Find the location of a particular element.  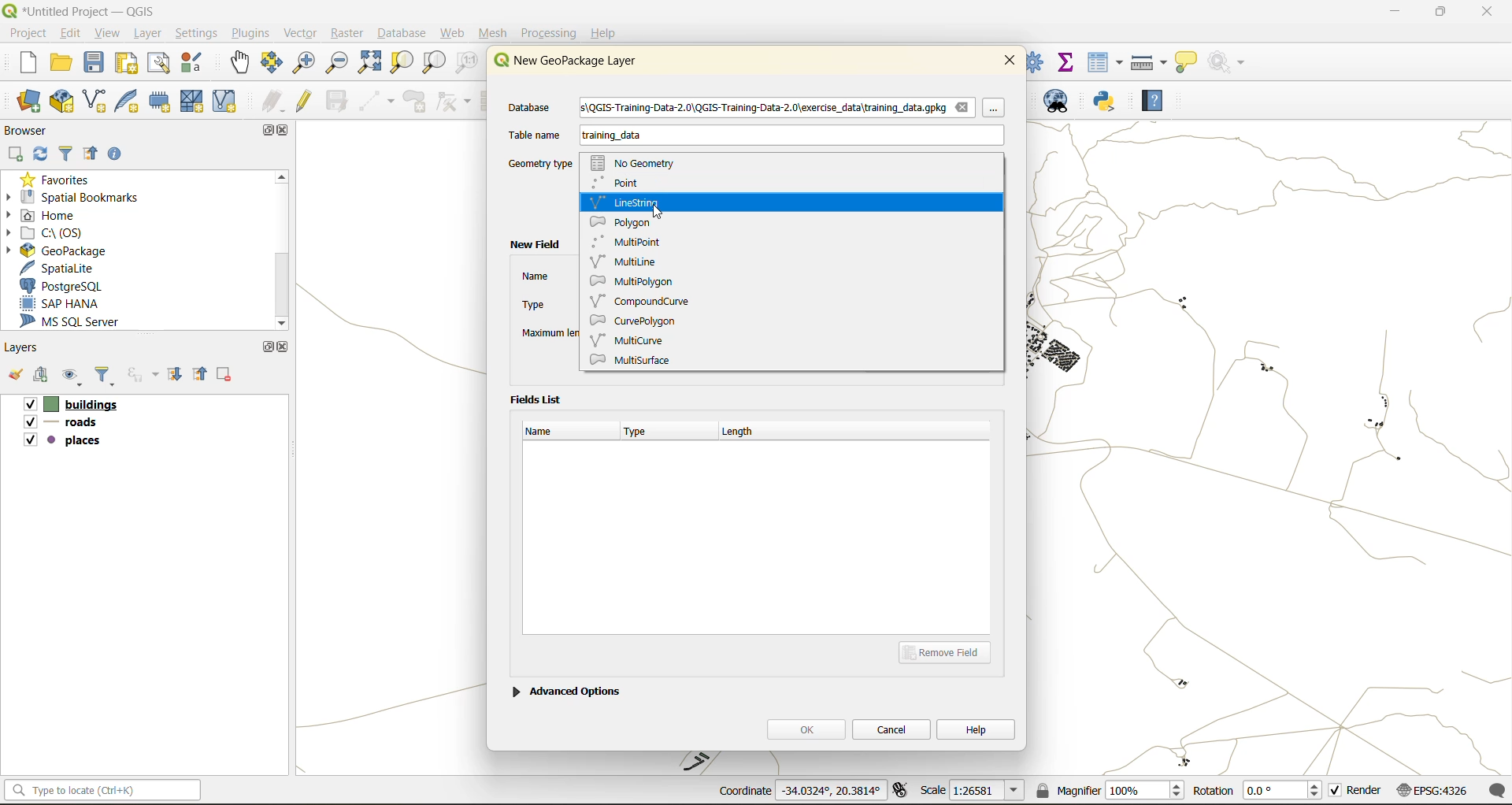

fields list is located at coordinates (539, 398).